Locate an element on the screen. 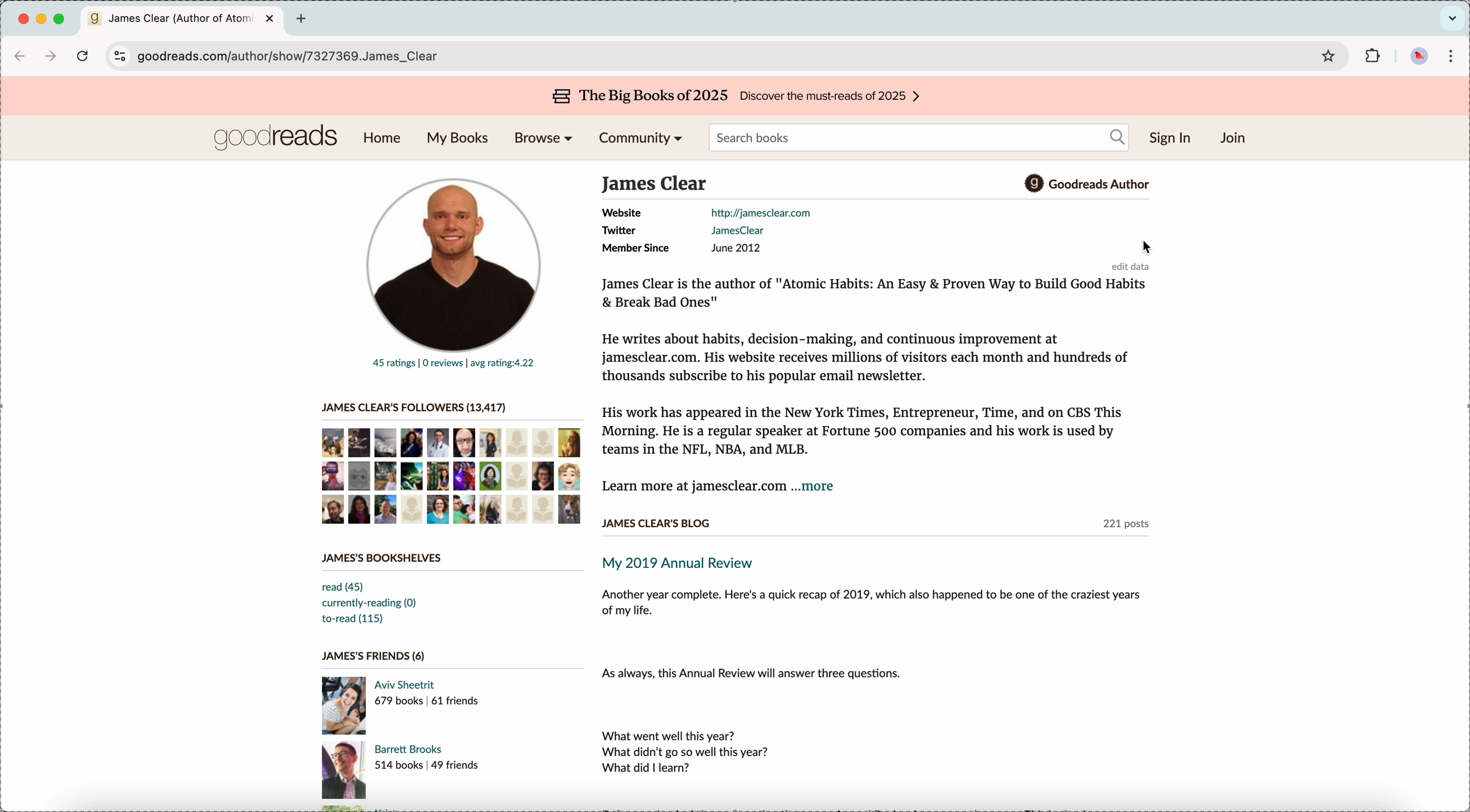 The height and width of the screenshot is (812, 1470). cursor is located at coordinates (1148, 247).